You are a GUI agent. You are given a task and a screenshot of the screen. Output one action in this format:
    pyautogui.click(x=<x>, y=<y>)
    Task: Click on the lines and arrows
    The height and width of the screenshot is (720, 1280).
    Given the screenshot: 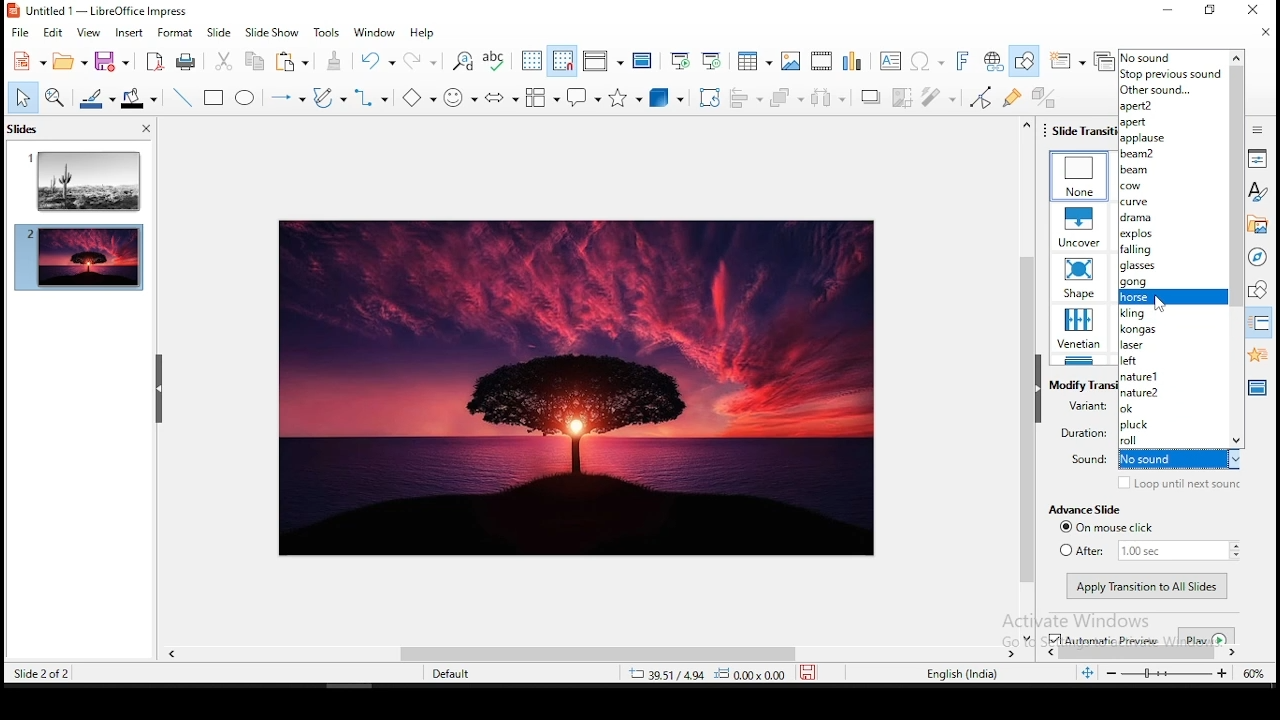 What is the action you would take?
    pyautogui.click(x=288, y=99)
    